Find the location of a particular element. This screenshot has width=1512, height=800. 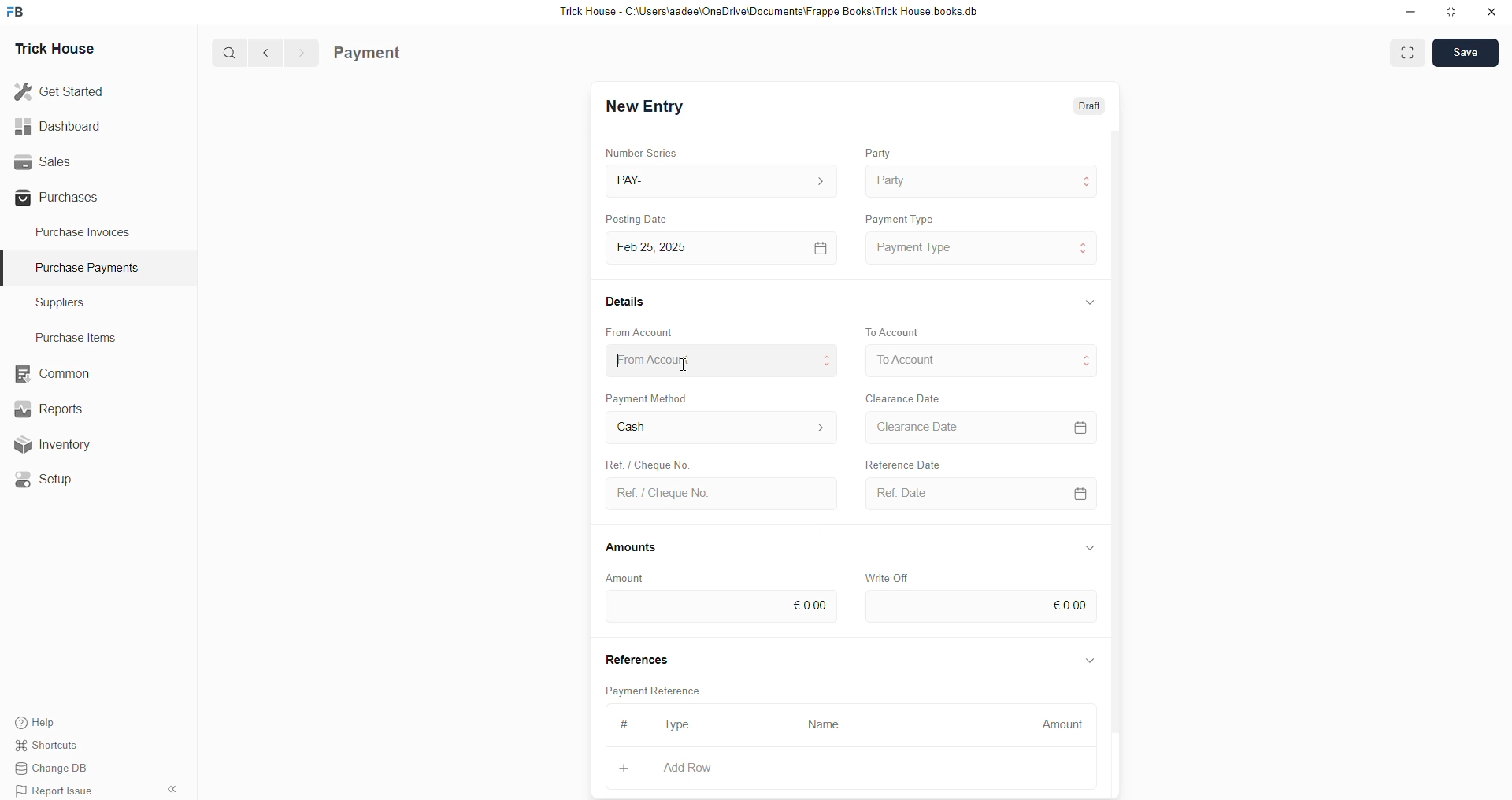

Write Off is located at coordinates (890, 576).